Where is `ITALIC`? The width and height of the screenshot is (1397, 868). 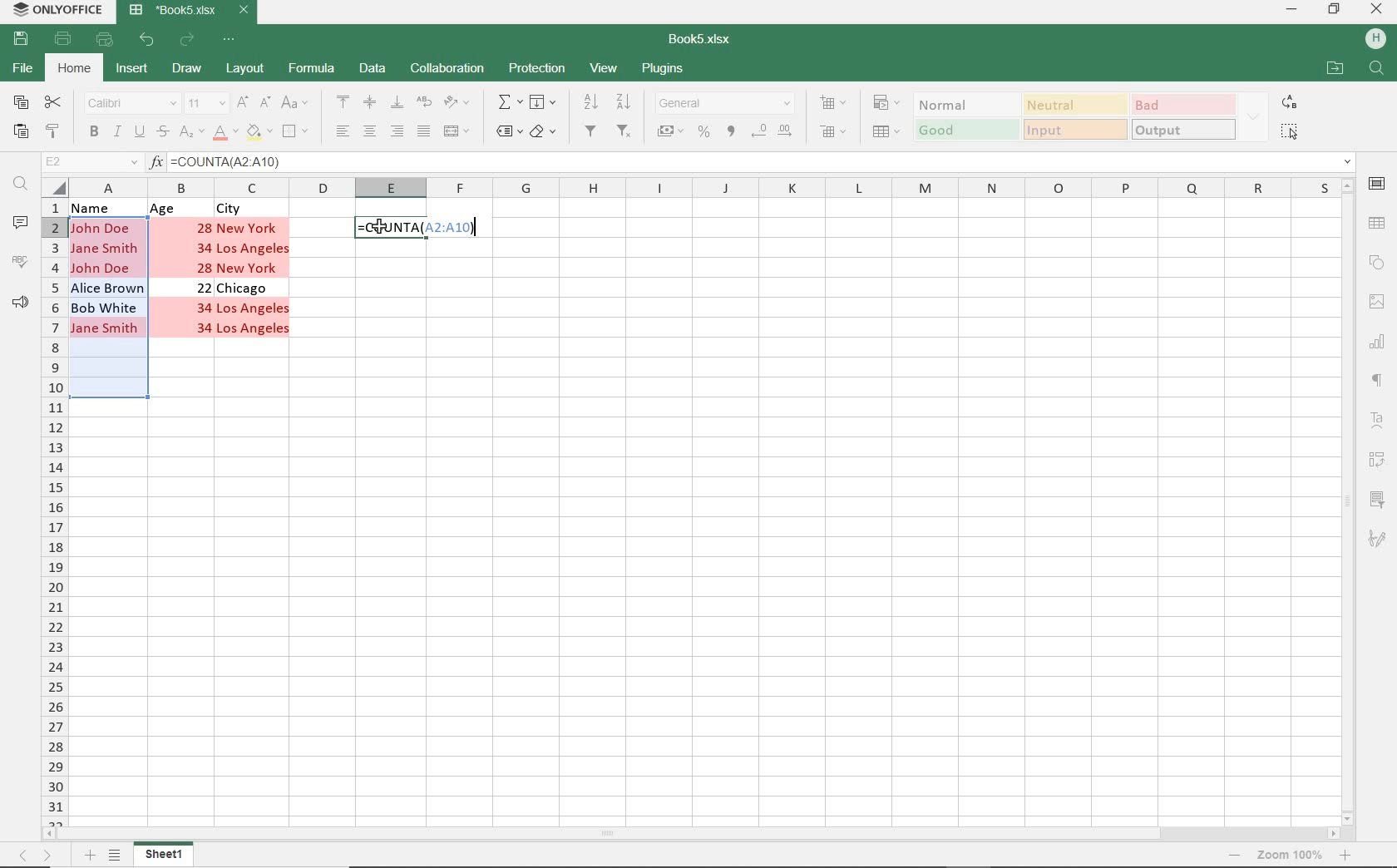 ITALIC is located at coordinates (117, 133).